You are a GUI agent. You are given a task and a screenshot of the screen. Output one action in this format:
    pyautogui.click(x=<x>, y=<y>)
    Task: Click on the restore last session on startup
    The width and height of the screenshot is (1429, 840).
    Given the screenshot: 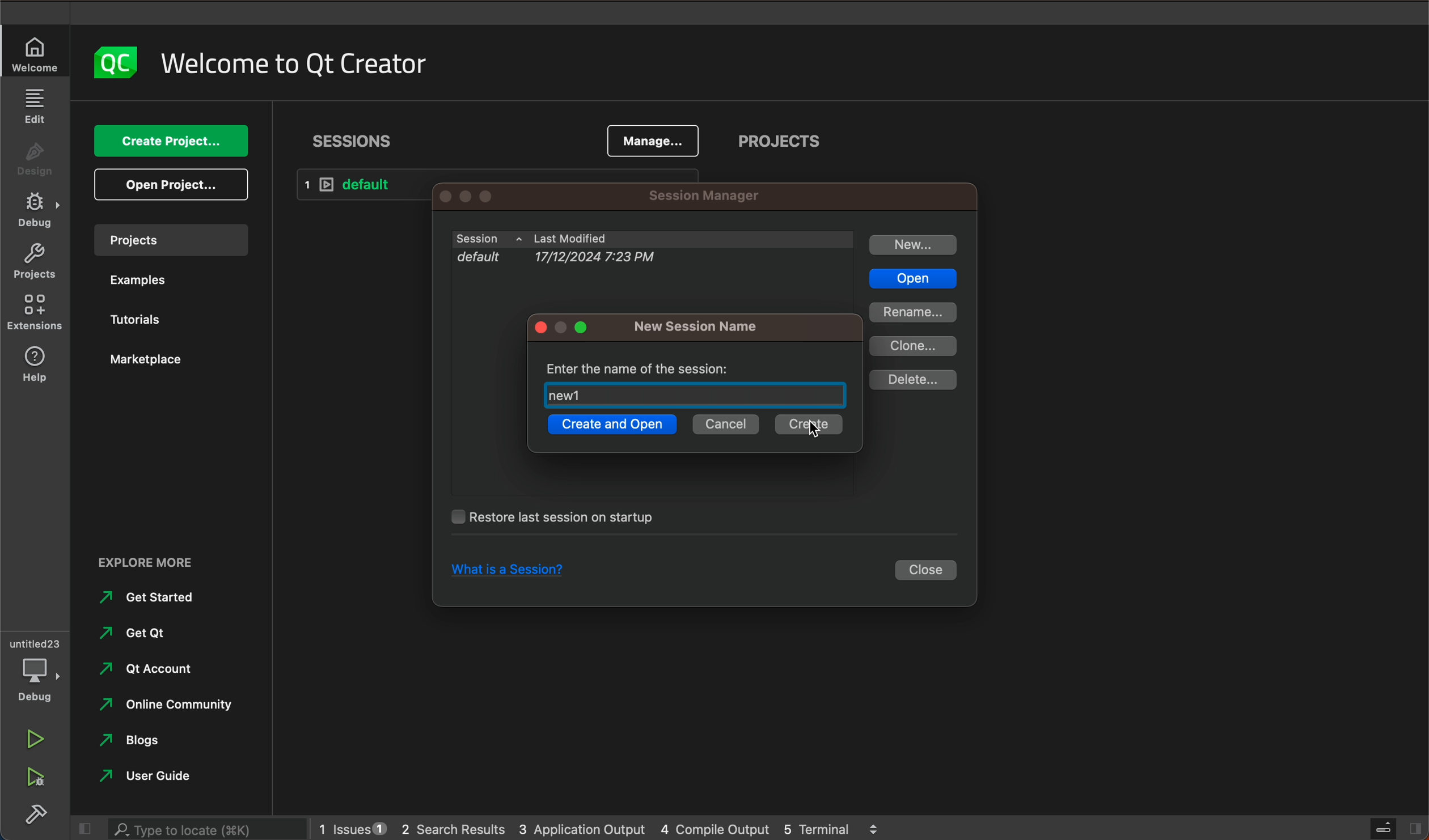 What is the action you would take?
    pyautogui.click(x=563, y=516)
    